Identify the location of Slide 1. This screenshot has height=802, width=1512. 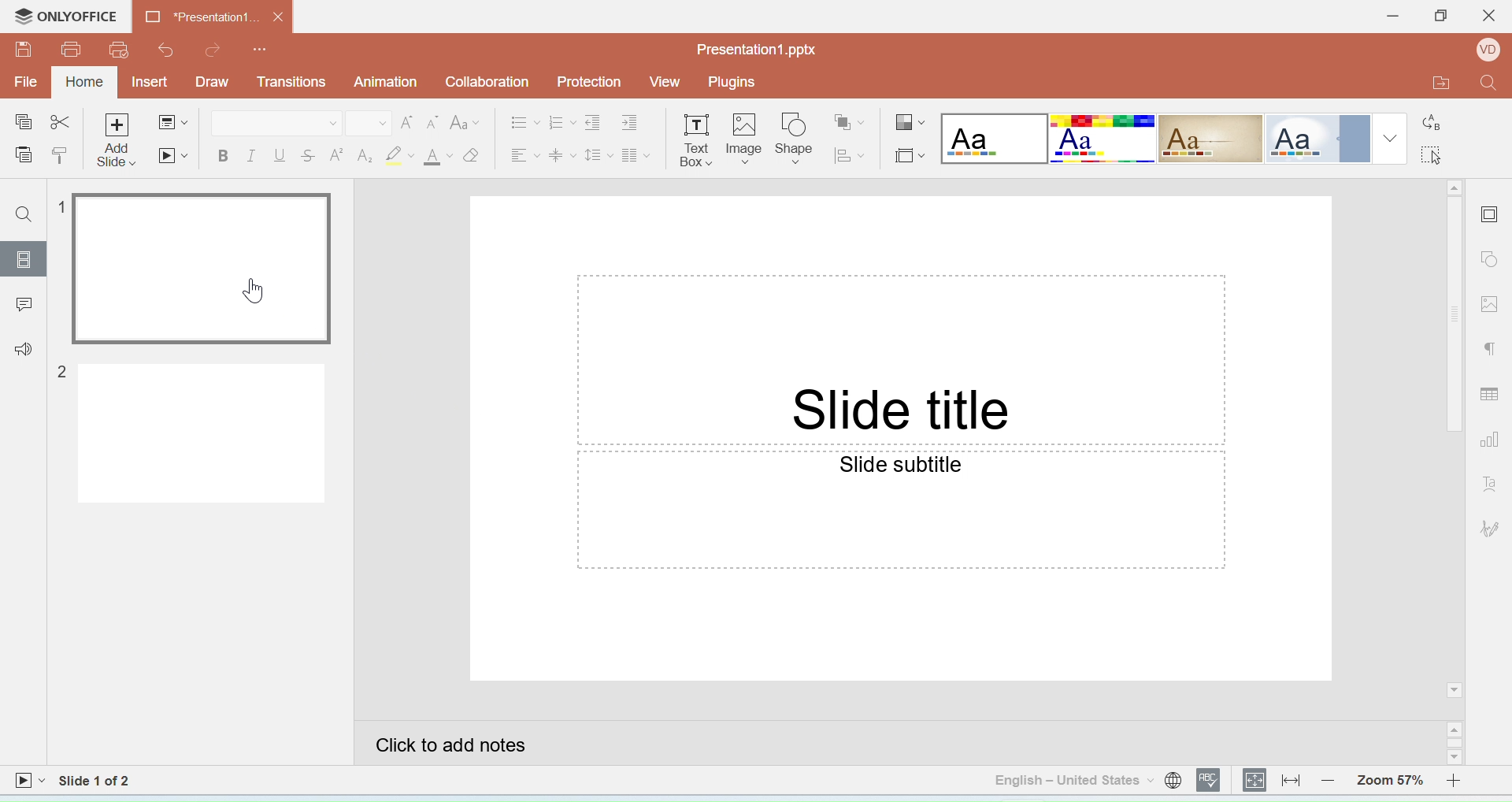
(192, 269).